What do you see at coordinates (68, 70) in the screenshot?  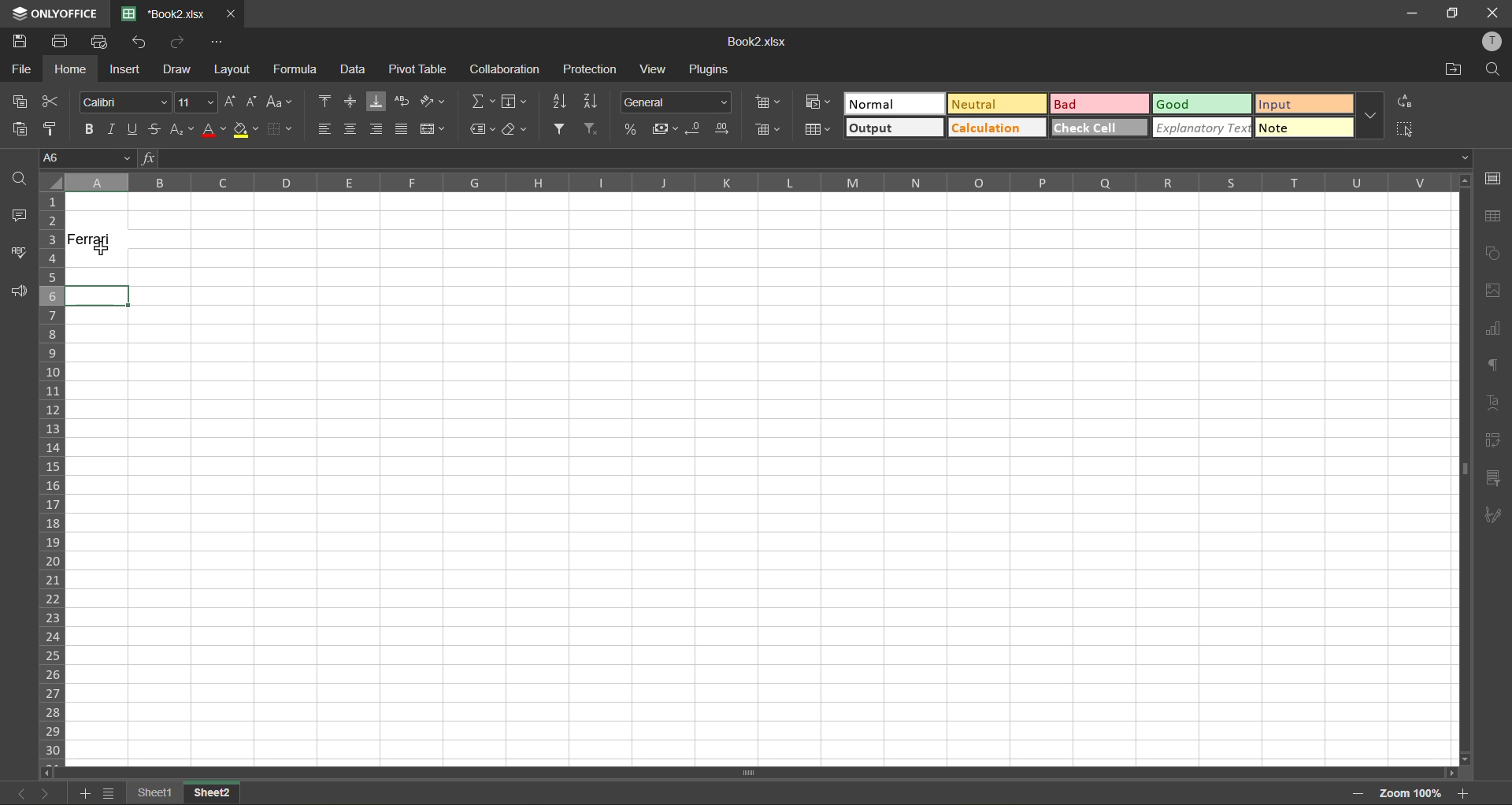 I see `home` at bounding box center [68, 70].